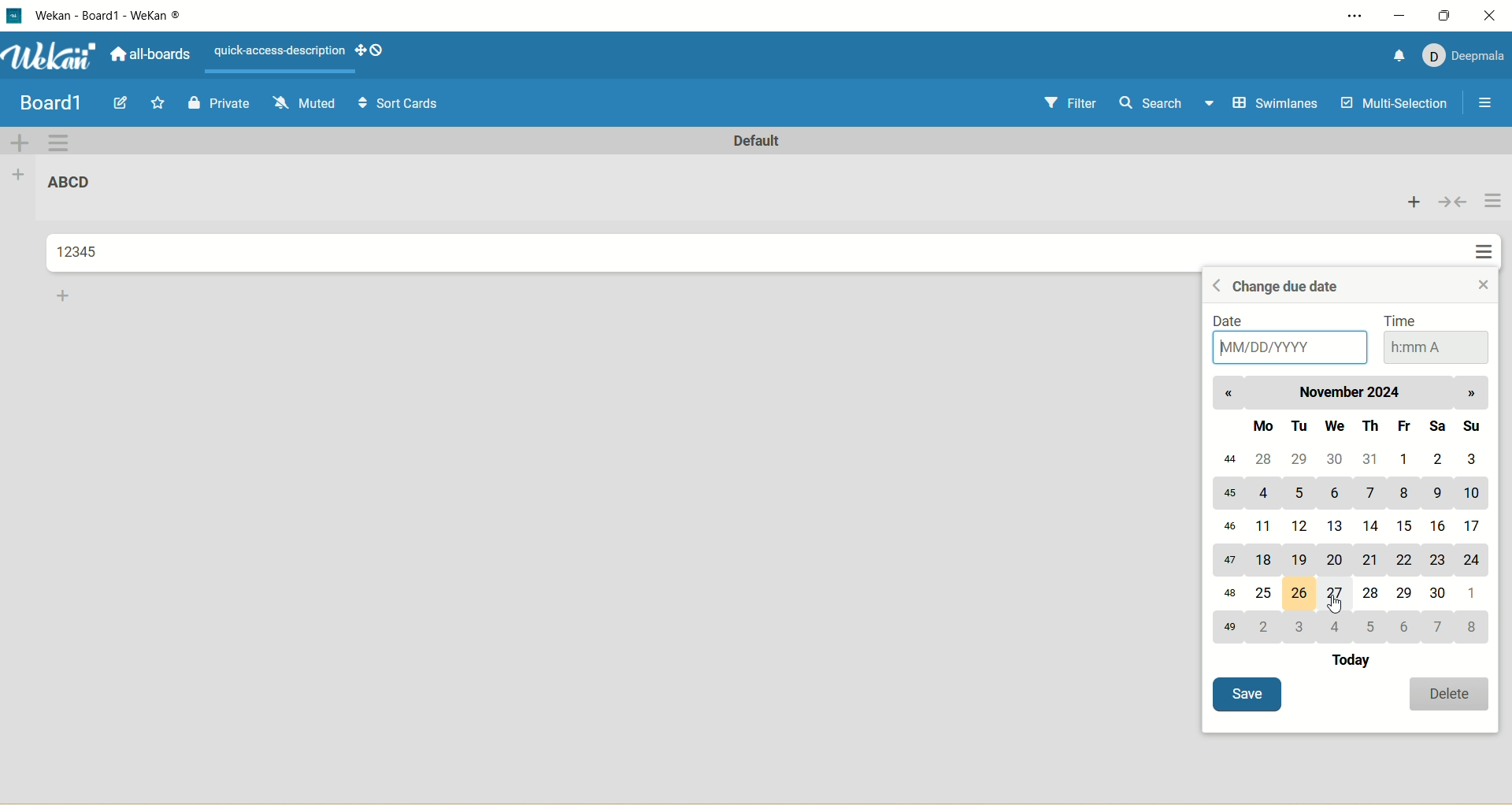 This screenshot has width=1512, height=805. I want to click on cursor, so click(1340, 607).